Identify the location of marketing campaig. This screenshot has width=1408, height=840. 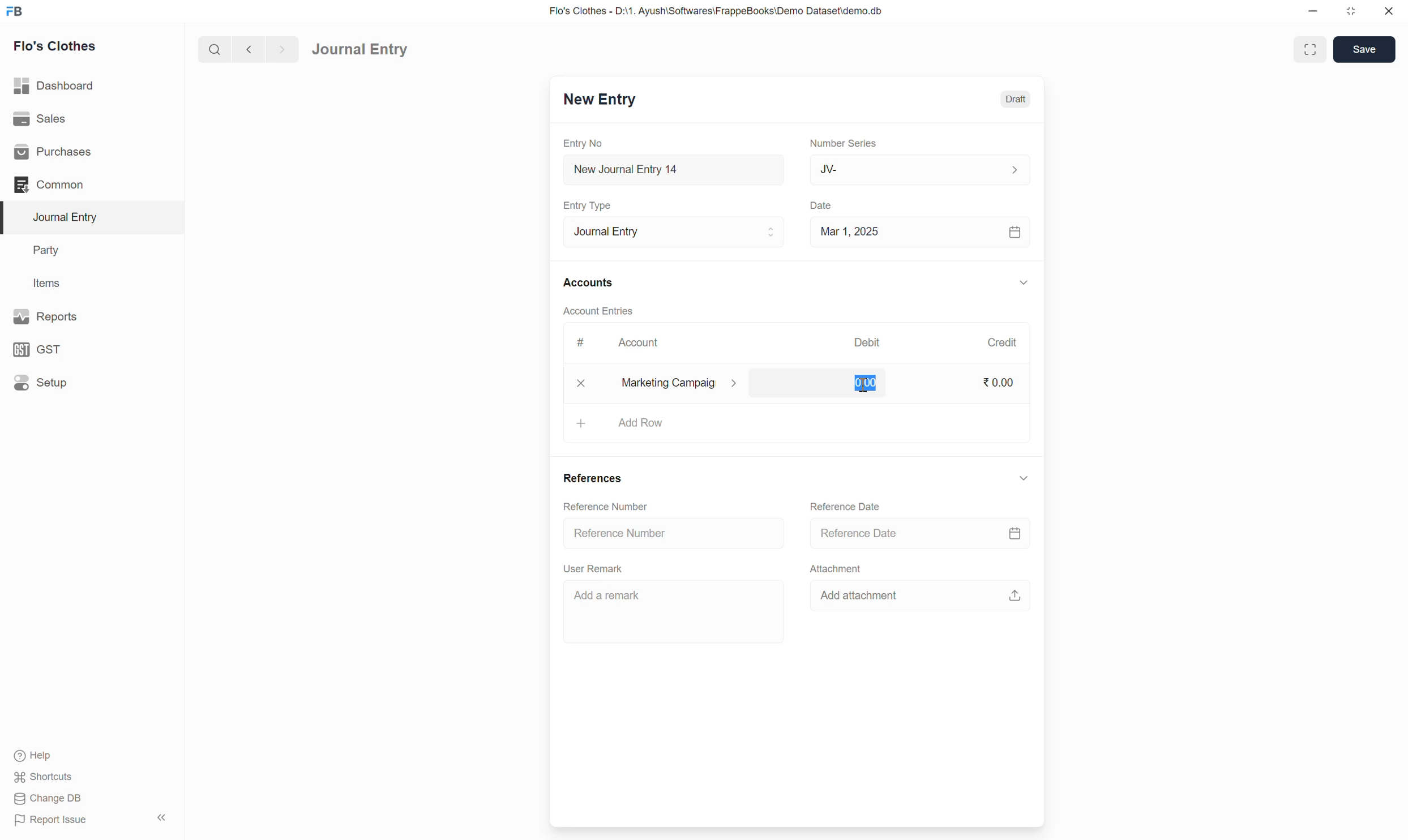
(688, 383).